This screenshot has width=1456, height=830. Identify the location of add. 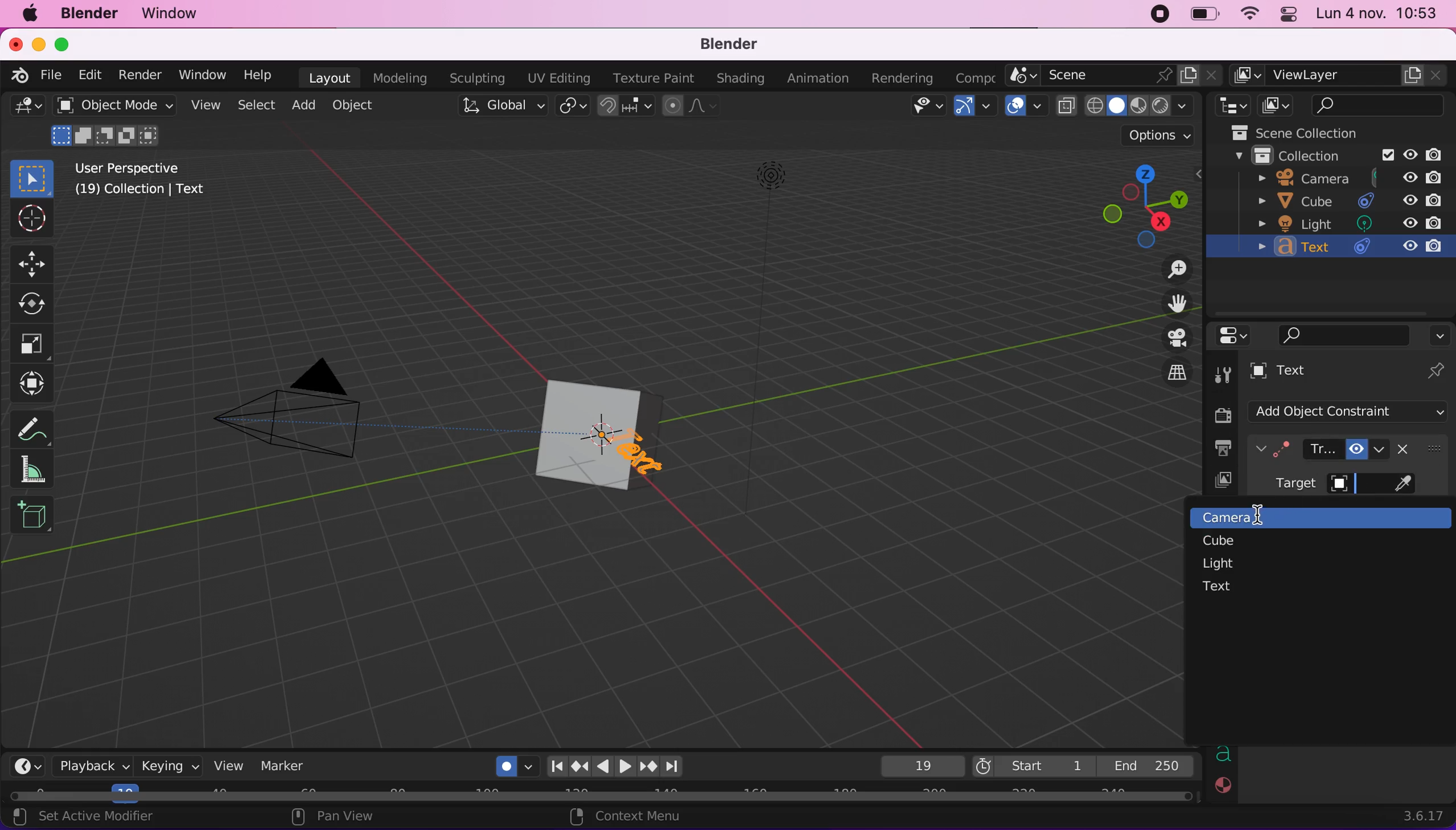
(307, 107).